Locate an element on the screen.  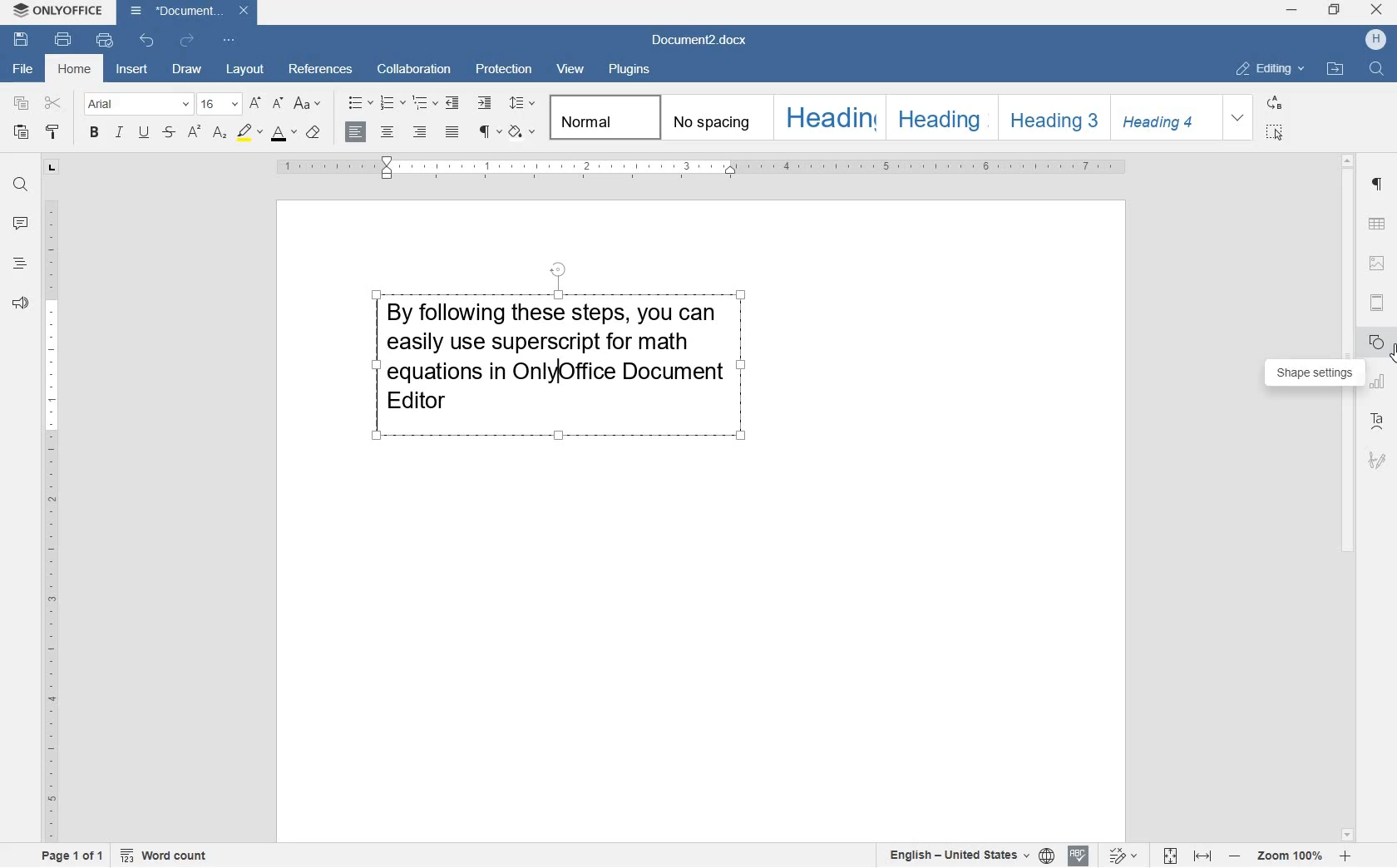
fit to page or width is located at coordinates (1187, 856).